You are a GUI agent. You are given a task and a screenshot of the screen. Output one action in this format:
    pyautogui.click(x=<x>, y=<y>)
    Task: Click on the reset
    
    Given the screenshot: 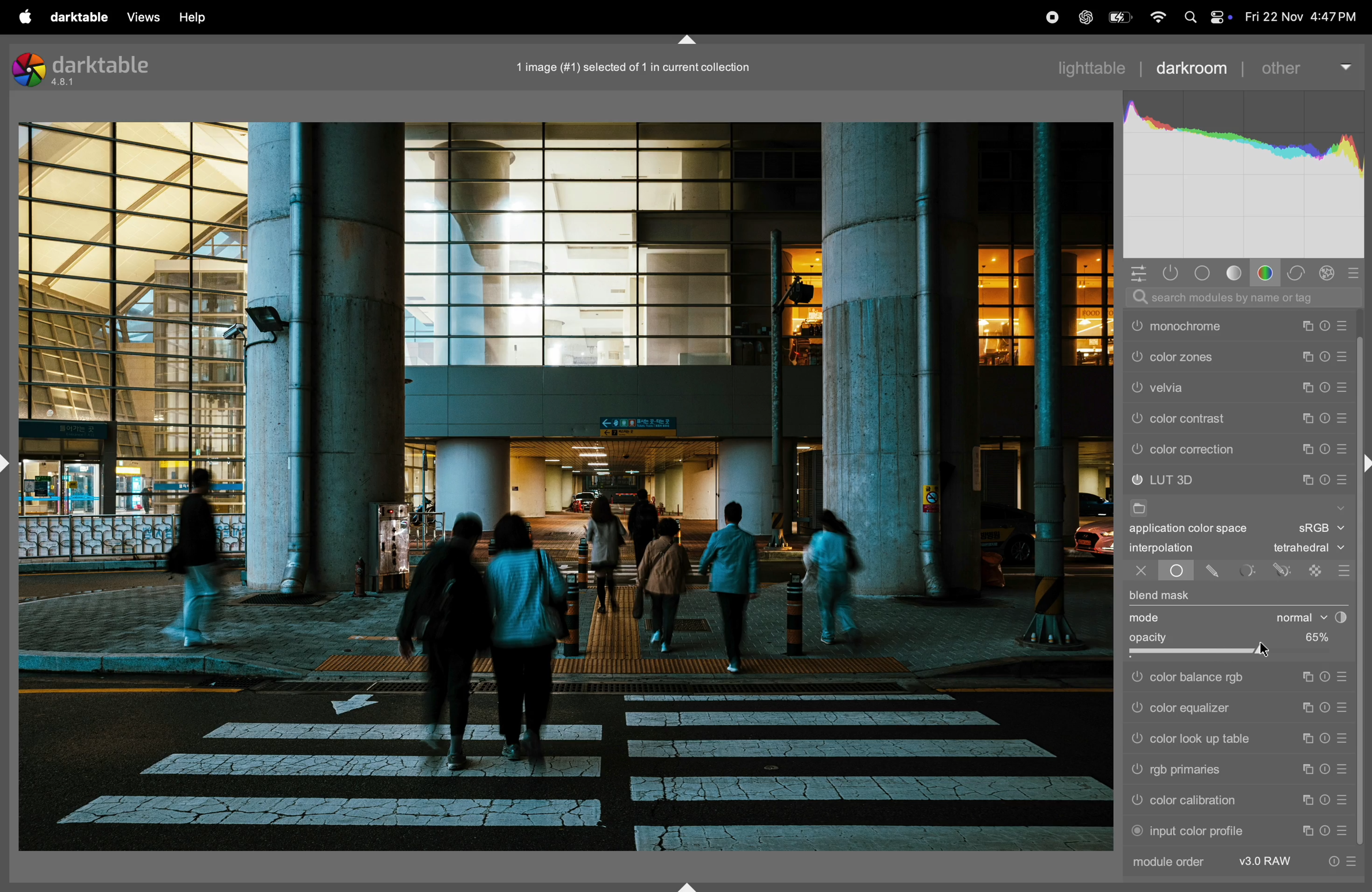 What is the action you would take?
    pyautogui.click(x=1326, y=415)
    